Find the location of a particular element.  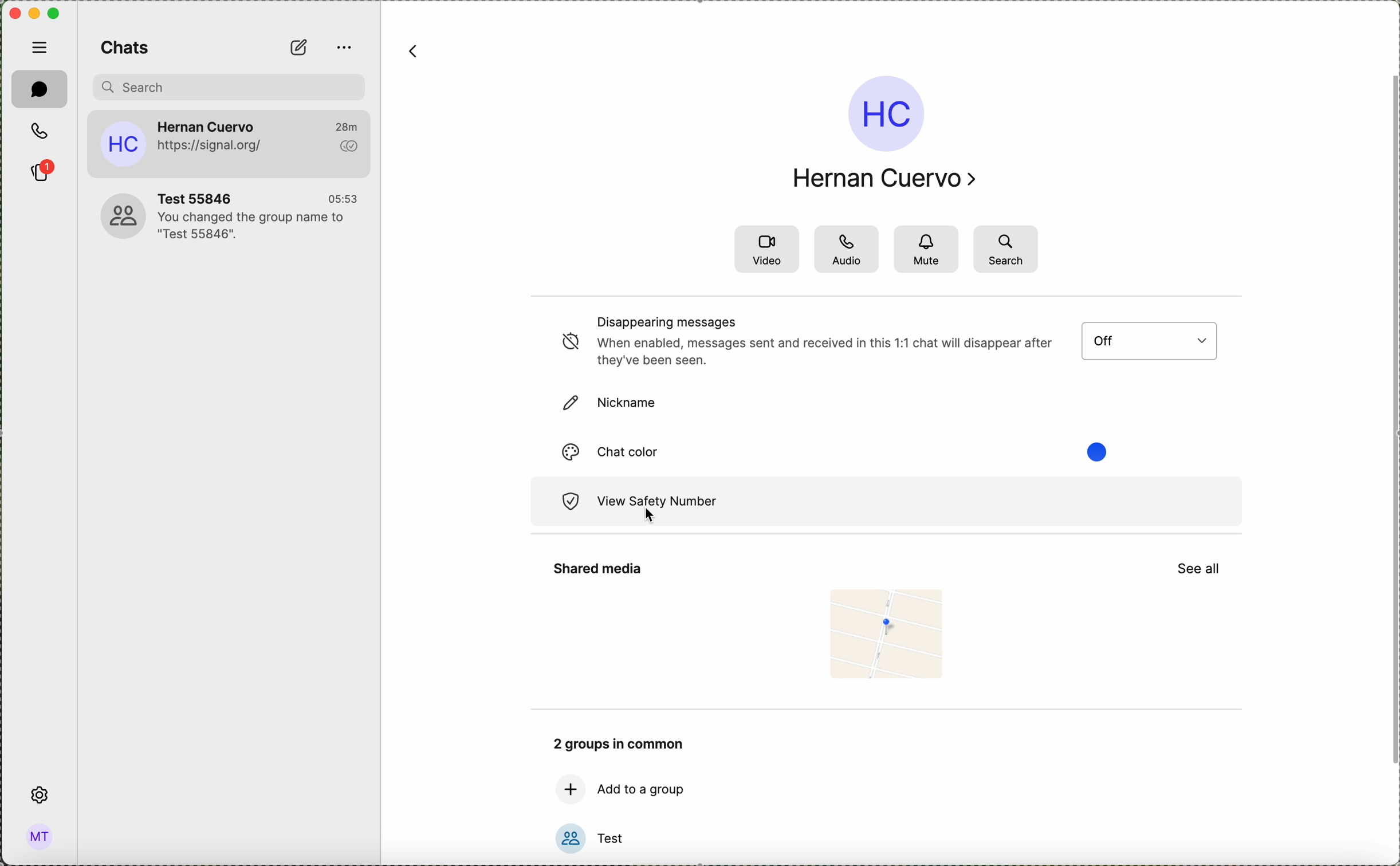

menu is located at coordinates (1154, 341).